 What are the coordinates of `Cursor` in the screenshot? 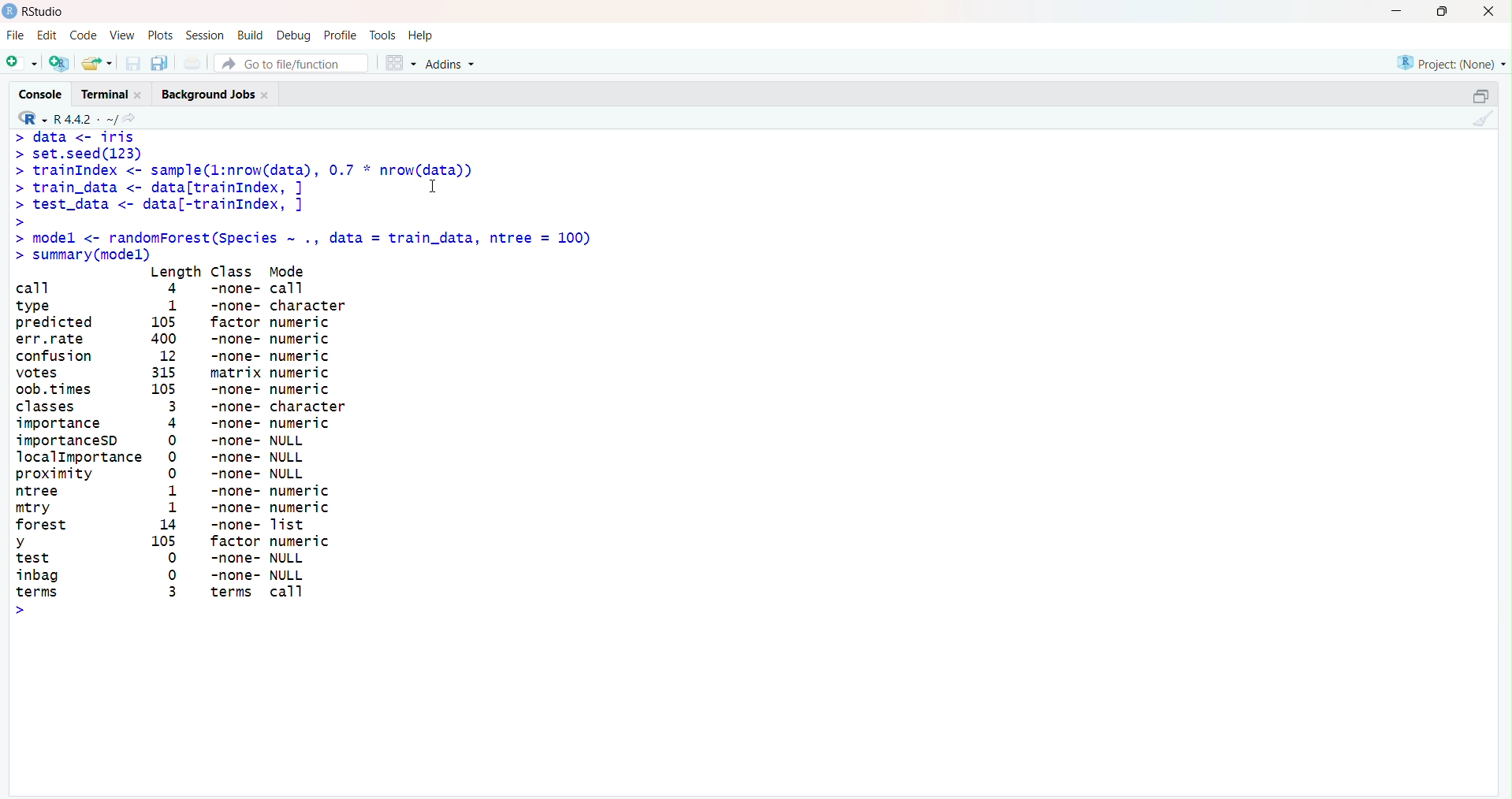 It's located at (440, 186).